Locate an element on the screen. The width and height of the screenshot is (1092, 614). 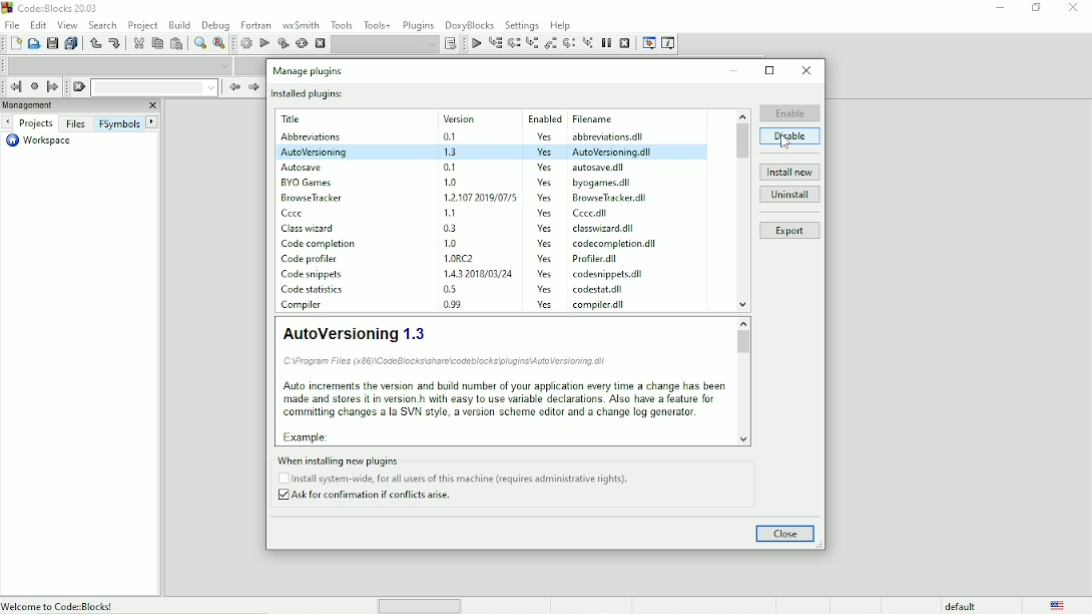
Vertical scrollbar is located at coordinates (740, 209).